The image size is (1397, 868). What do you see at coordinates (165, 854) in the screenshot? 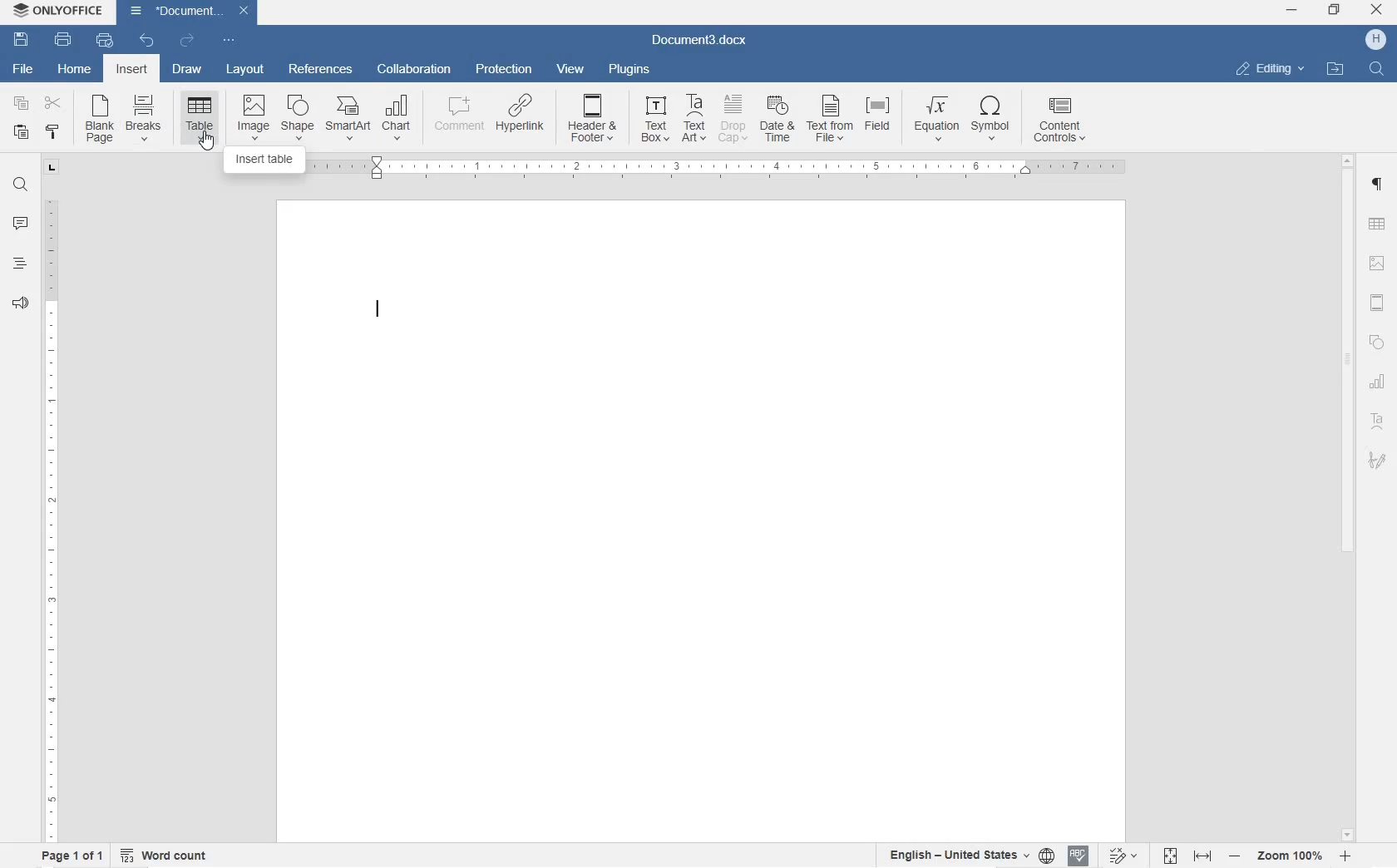
I see `WORD COUNT` at bounding box center [165, 854].